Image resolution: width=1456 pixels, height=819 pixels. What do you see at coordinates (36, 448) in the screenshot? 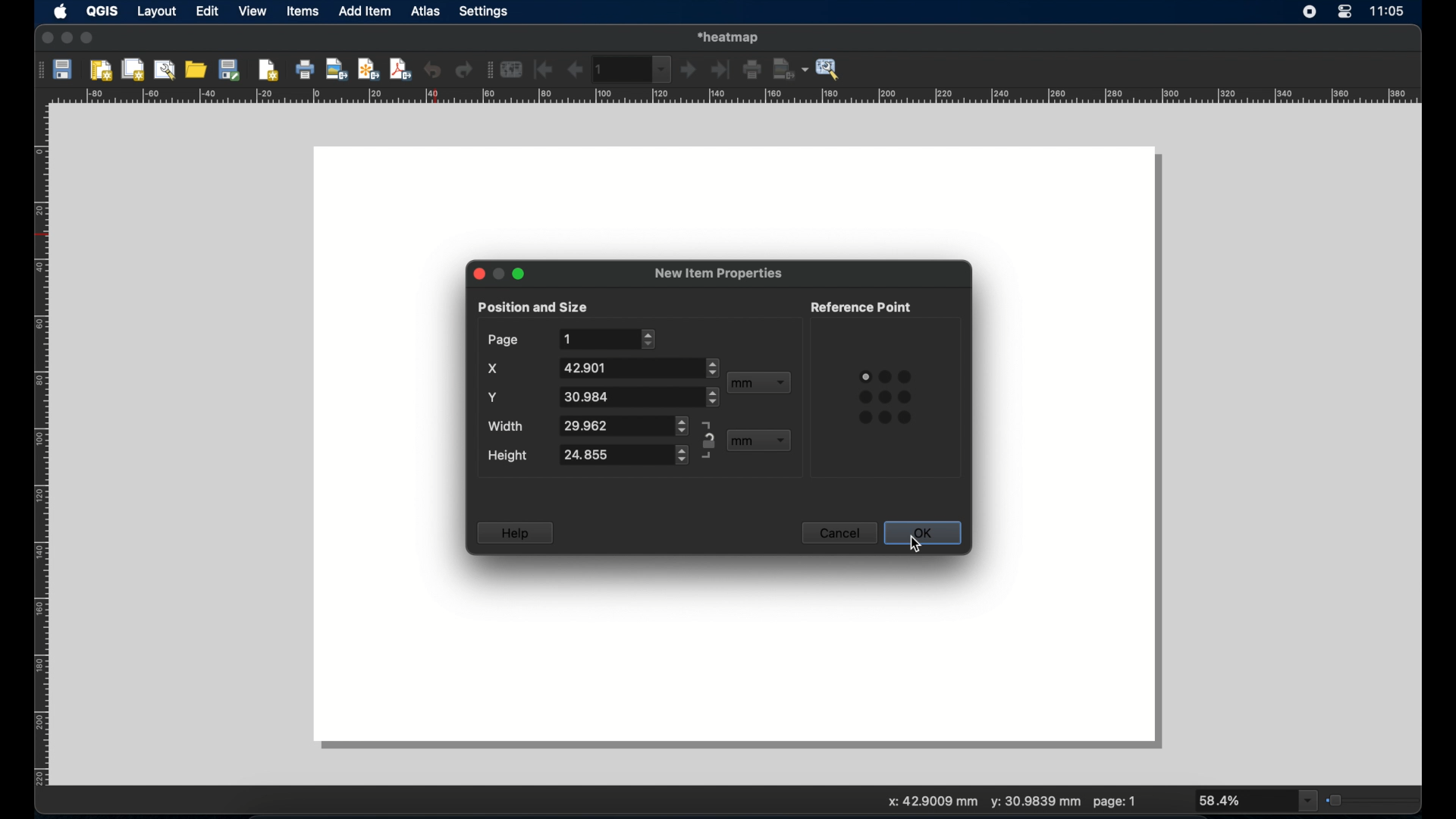
I see `margin` at bounding box center [36, 448].